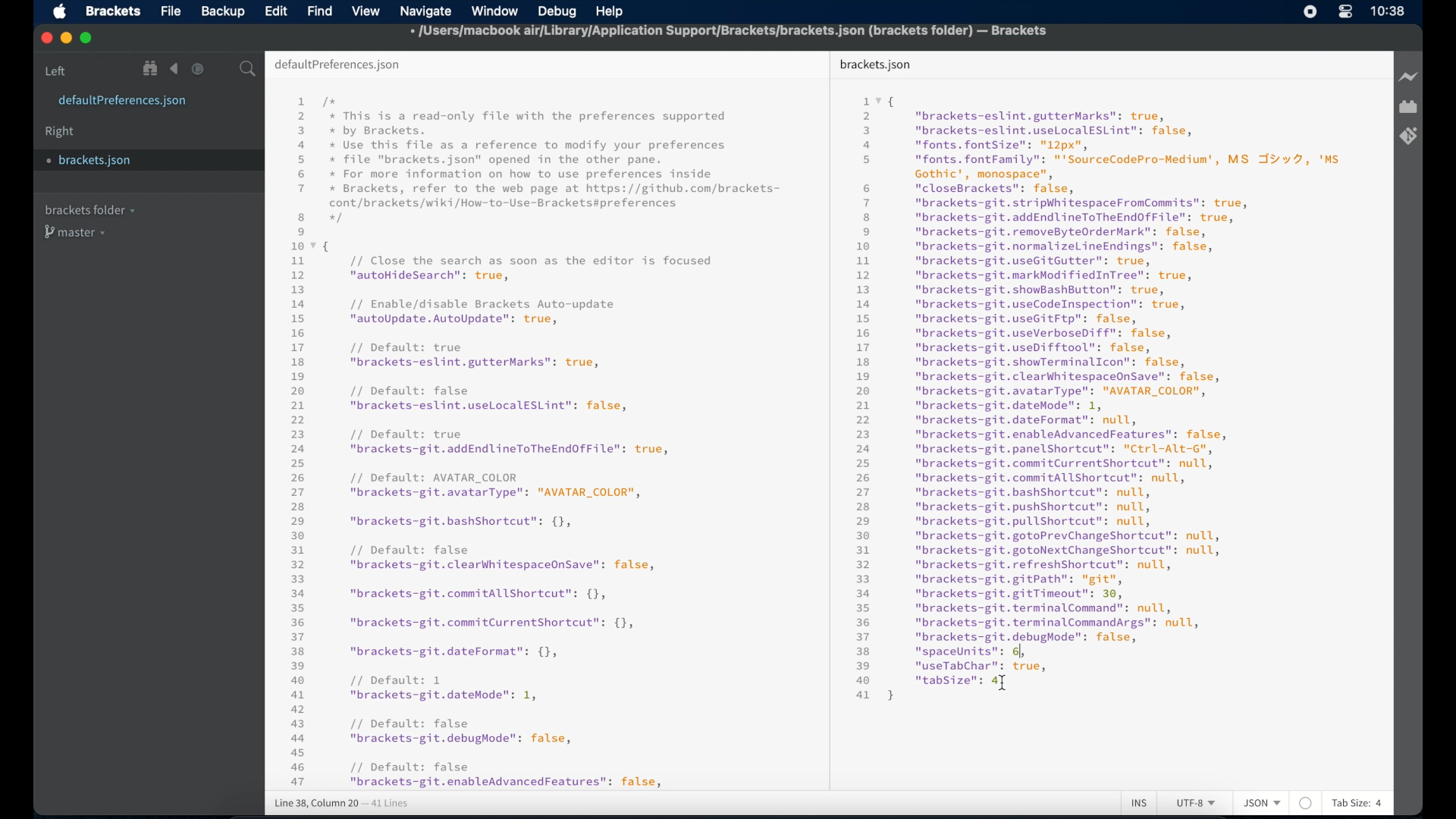 The image size is (1456, 819). What do you see at coordinates (1408, 136) in the screenshot?
I see `brackets  git extension` at bounding box center [1408, 136].